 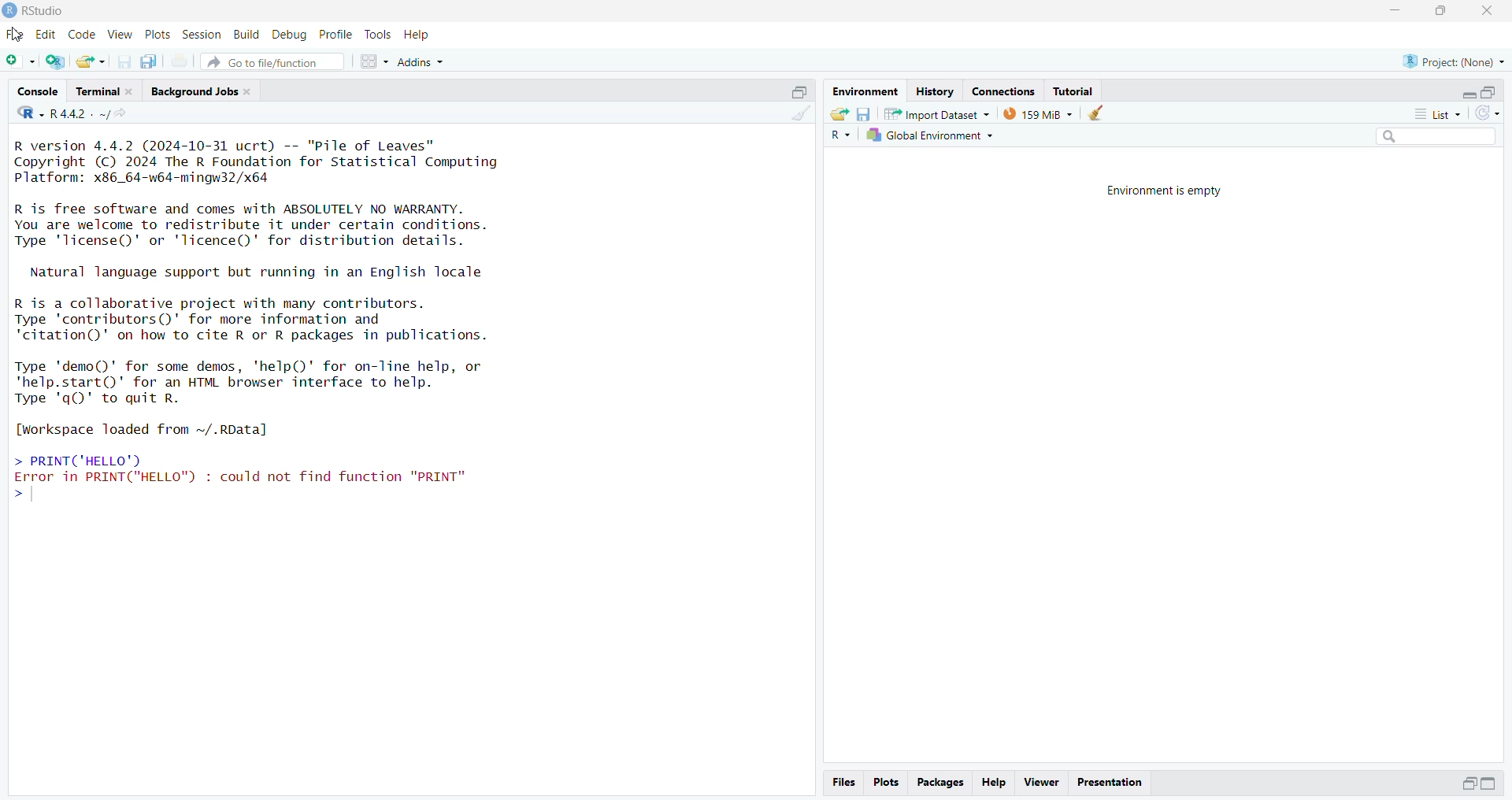 I want to click on R.4.4.2, so click(x=62, y=113).